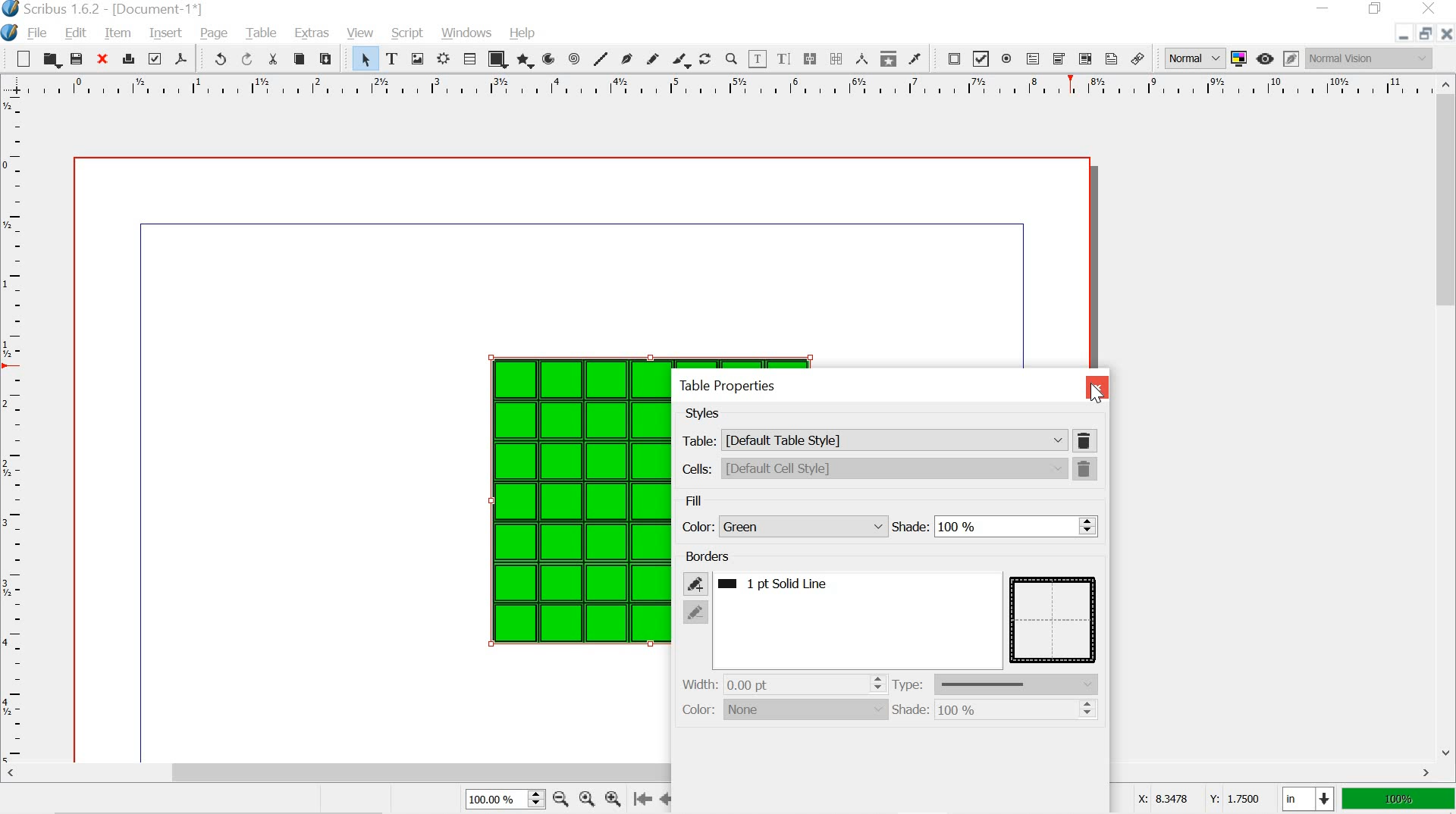 Image resolution: width=1456 pixels, height=814 pixels. What do you see at coordinates (393, 59) in the screenshot?
I see `text frame` at bounding box center [393, 59].